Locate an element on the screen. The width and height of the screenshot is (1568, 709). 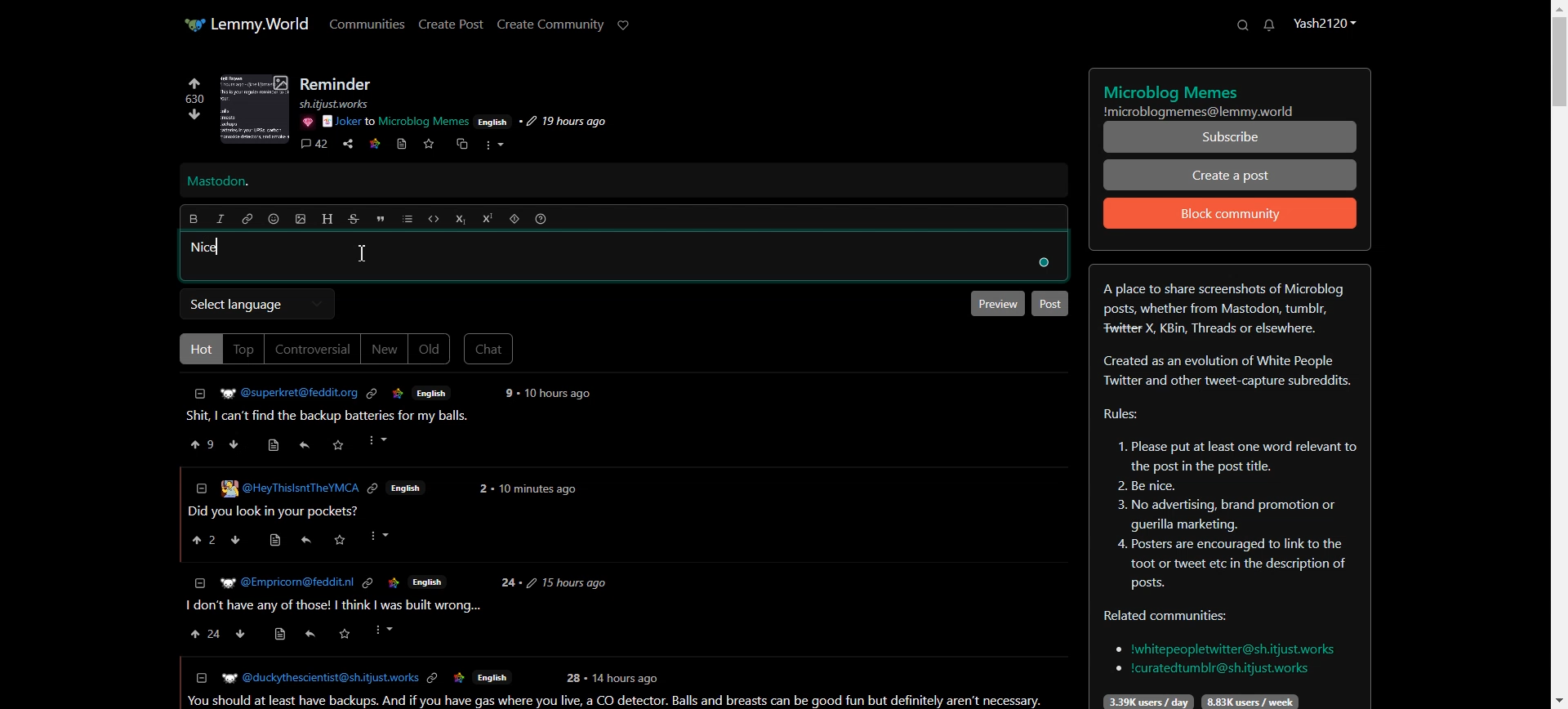
Select language is located at coordinates (256, 304).